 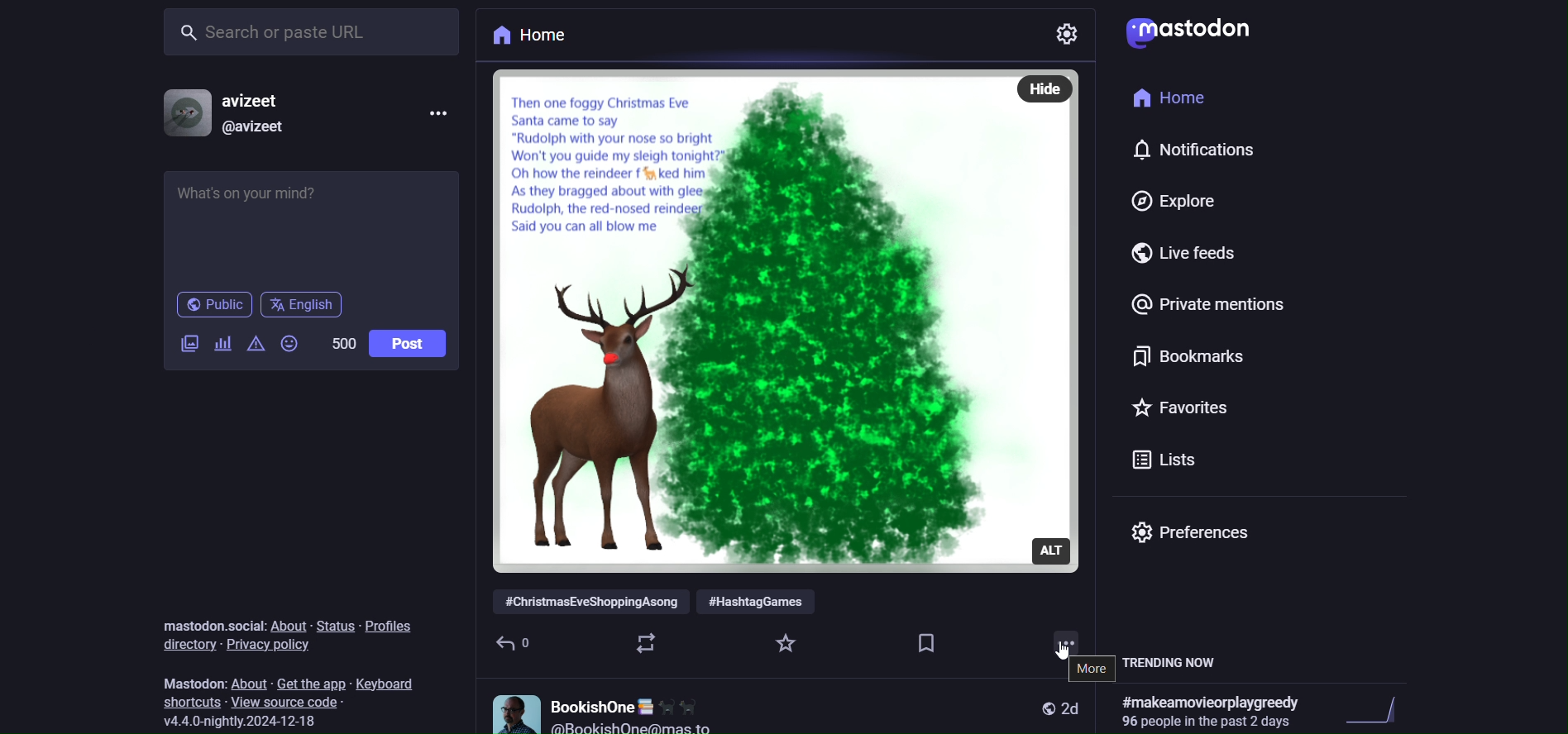 What do you see at coordinates (1178, 663) in the screenshot?
I see `trending now` at bounding box center [1178, 663].